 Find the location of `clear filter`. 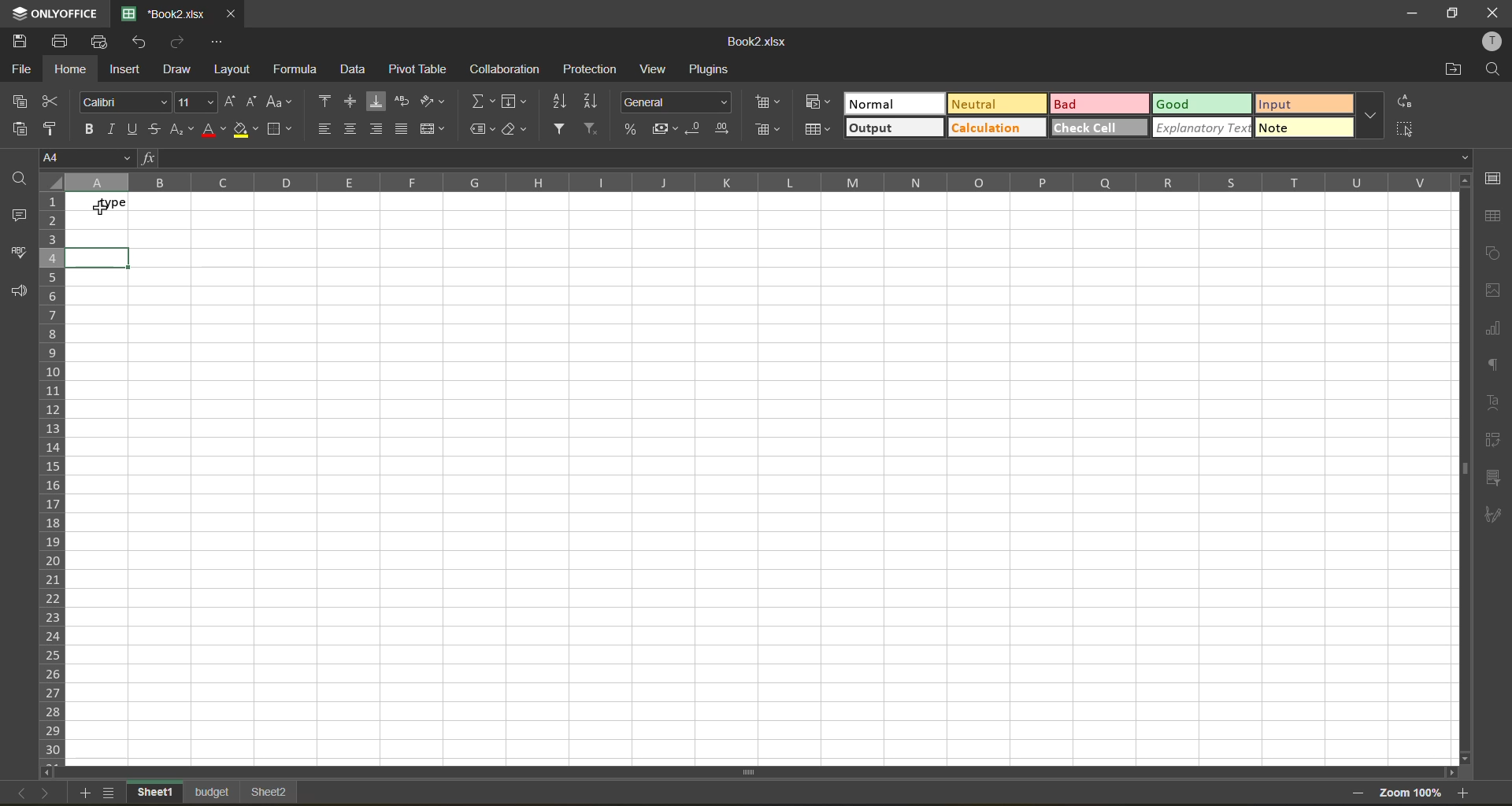

clear filter is located at coordinates (589, 130).